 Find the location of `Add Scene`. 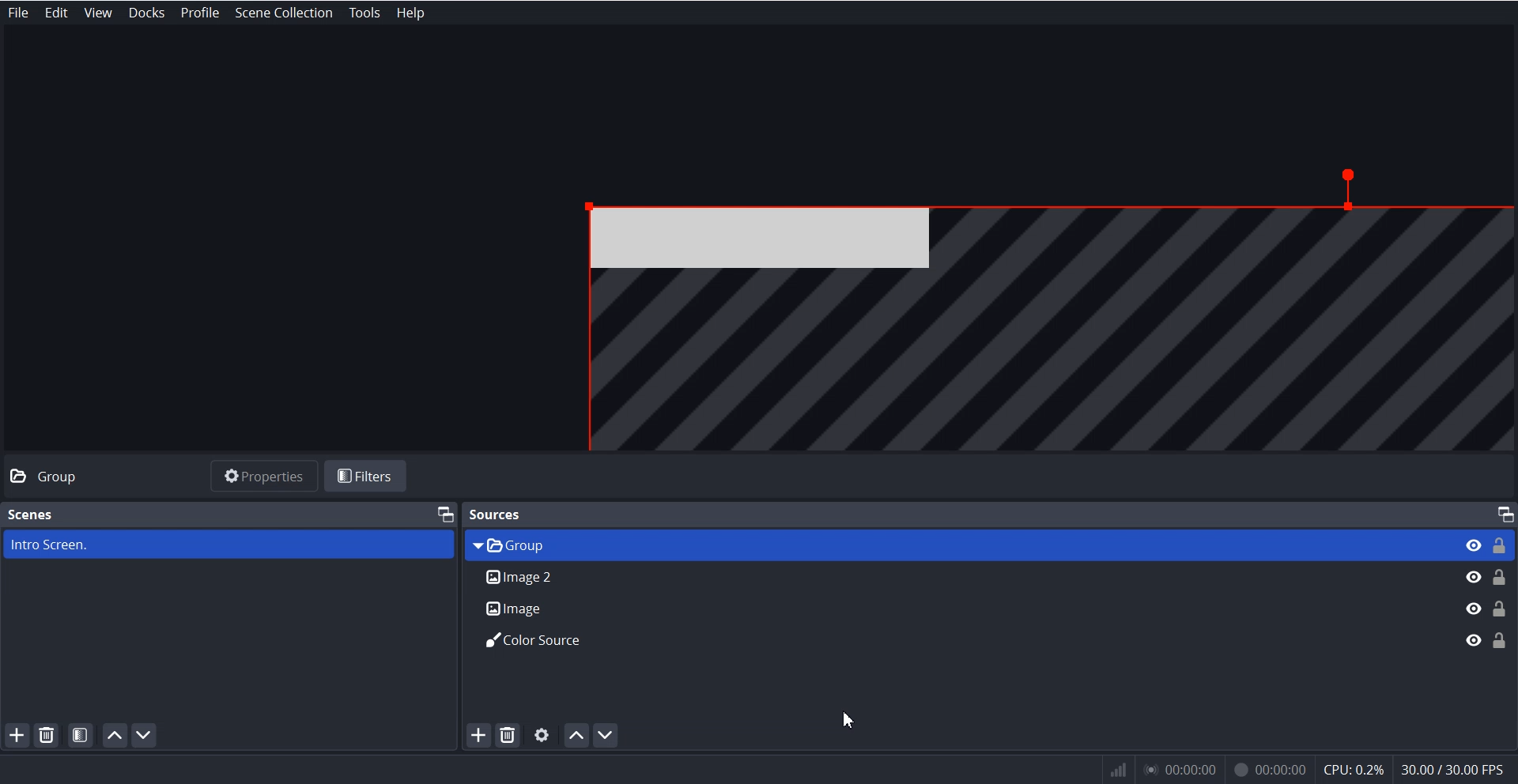

Add Scene is located at coordinates (16, 734).